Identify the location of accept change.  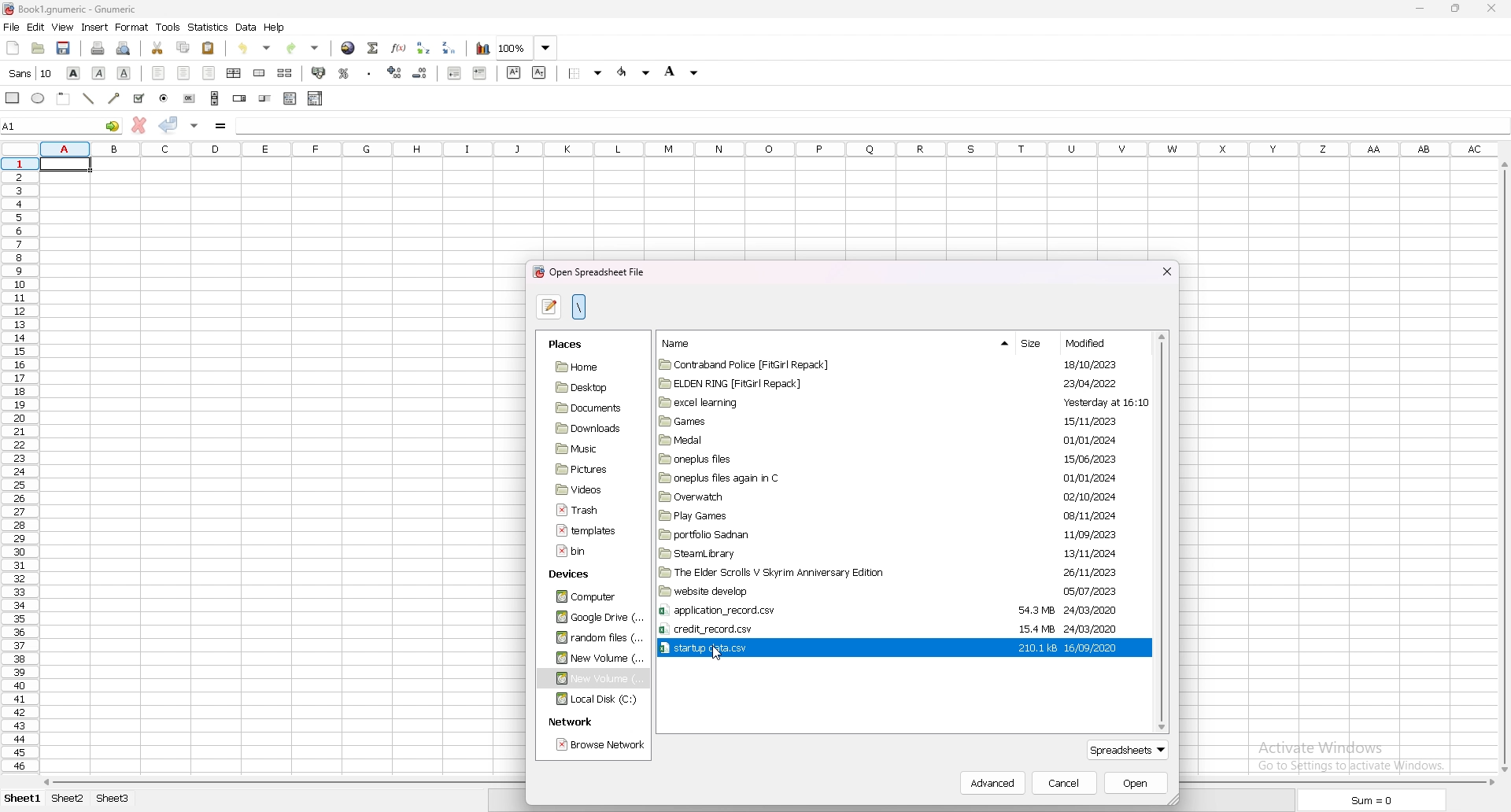
(168, 124).